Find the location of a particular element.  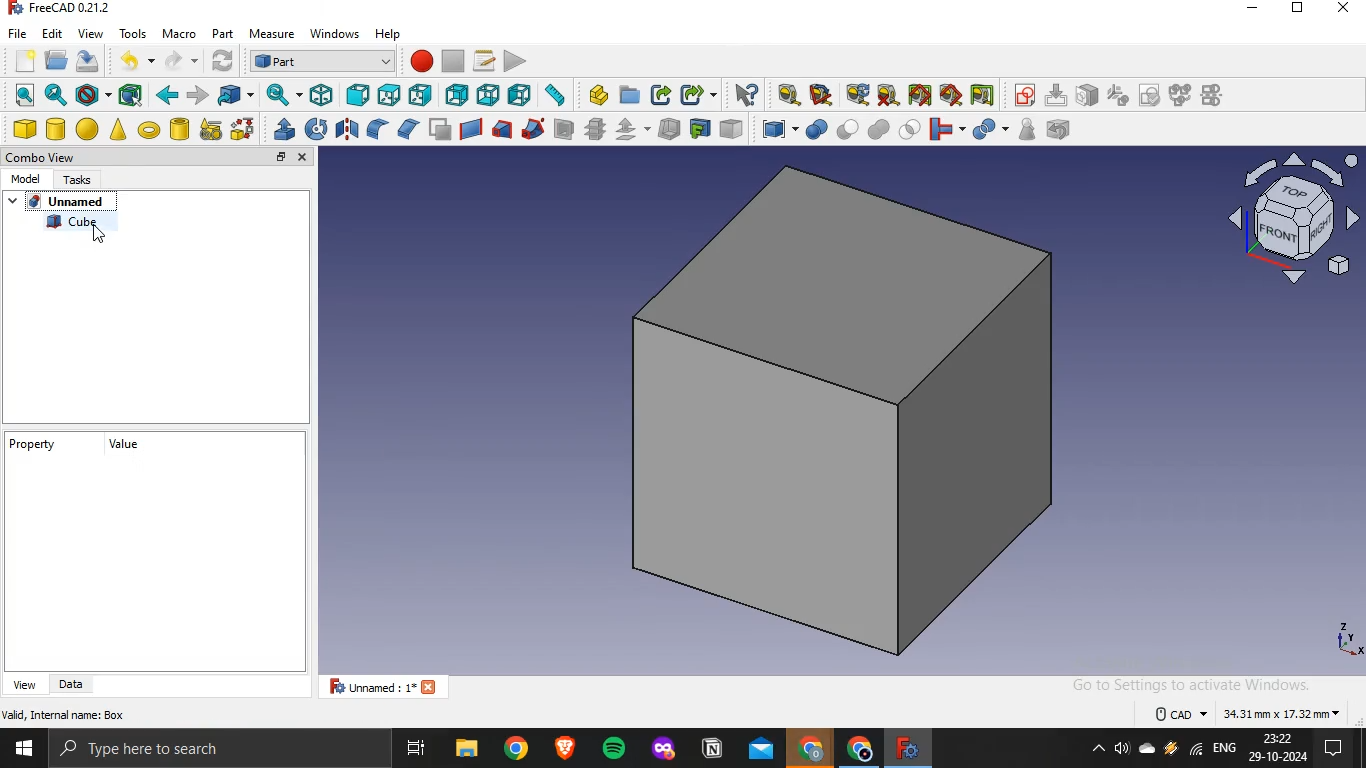

extrude is located at coordinates (284, 129).